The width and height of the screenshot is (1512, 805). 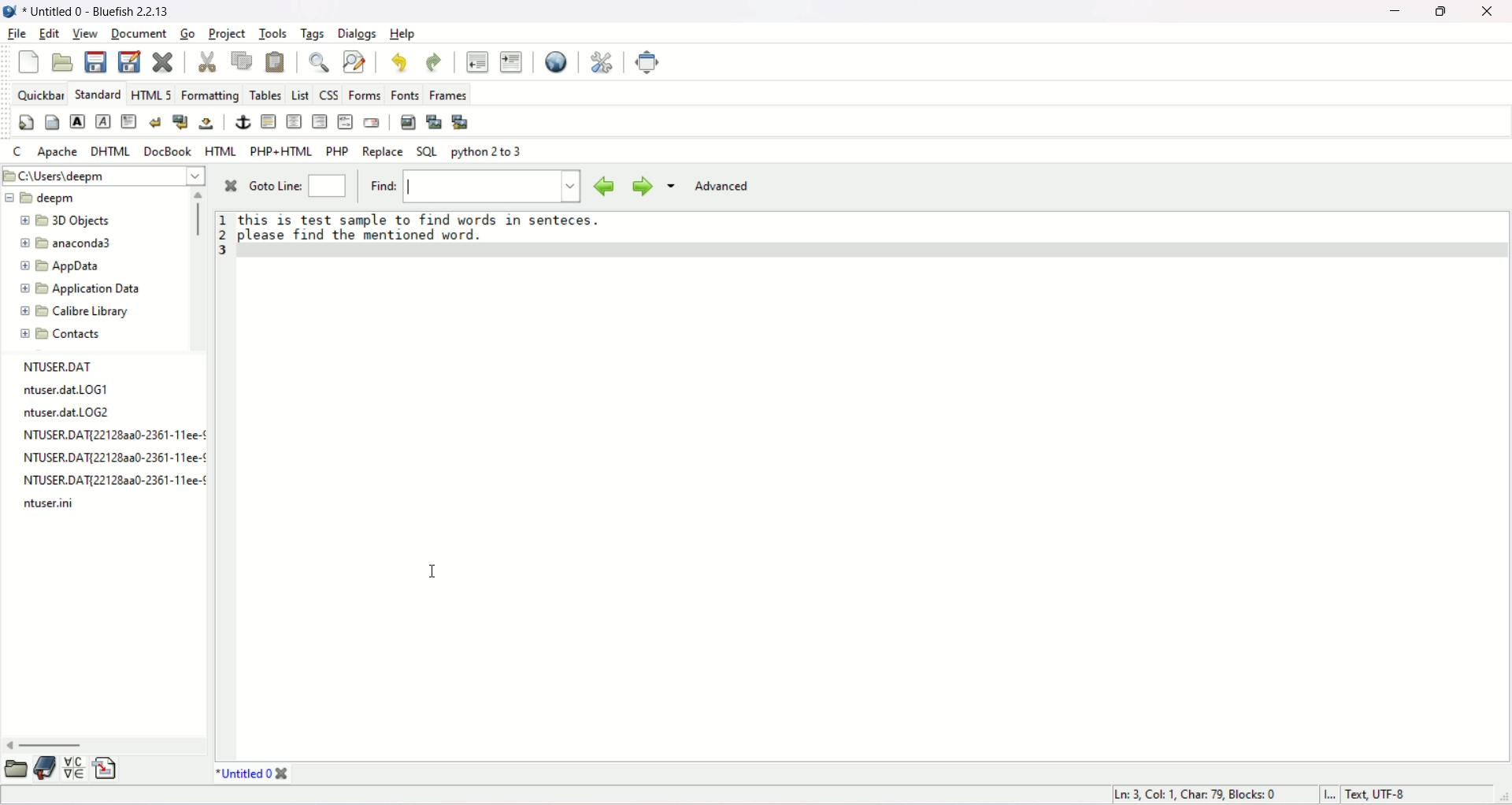 I want to click on Apache, so click(x=57, y=152).